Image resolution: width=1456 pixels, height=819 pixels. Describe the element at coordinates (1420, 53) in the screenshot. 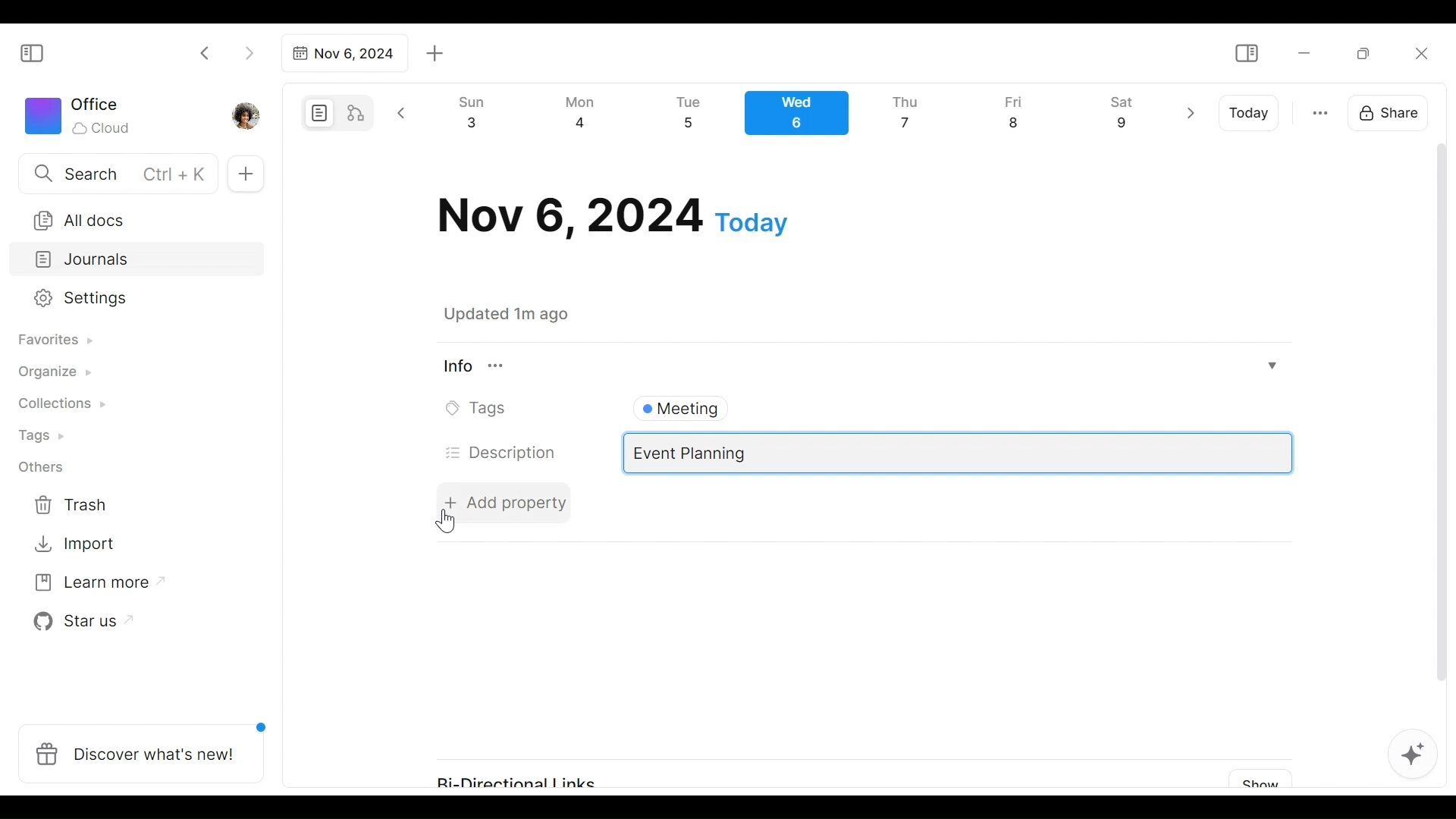

I see `Close` at that location.